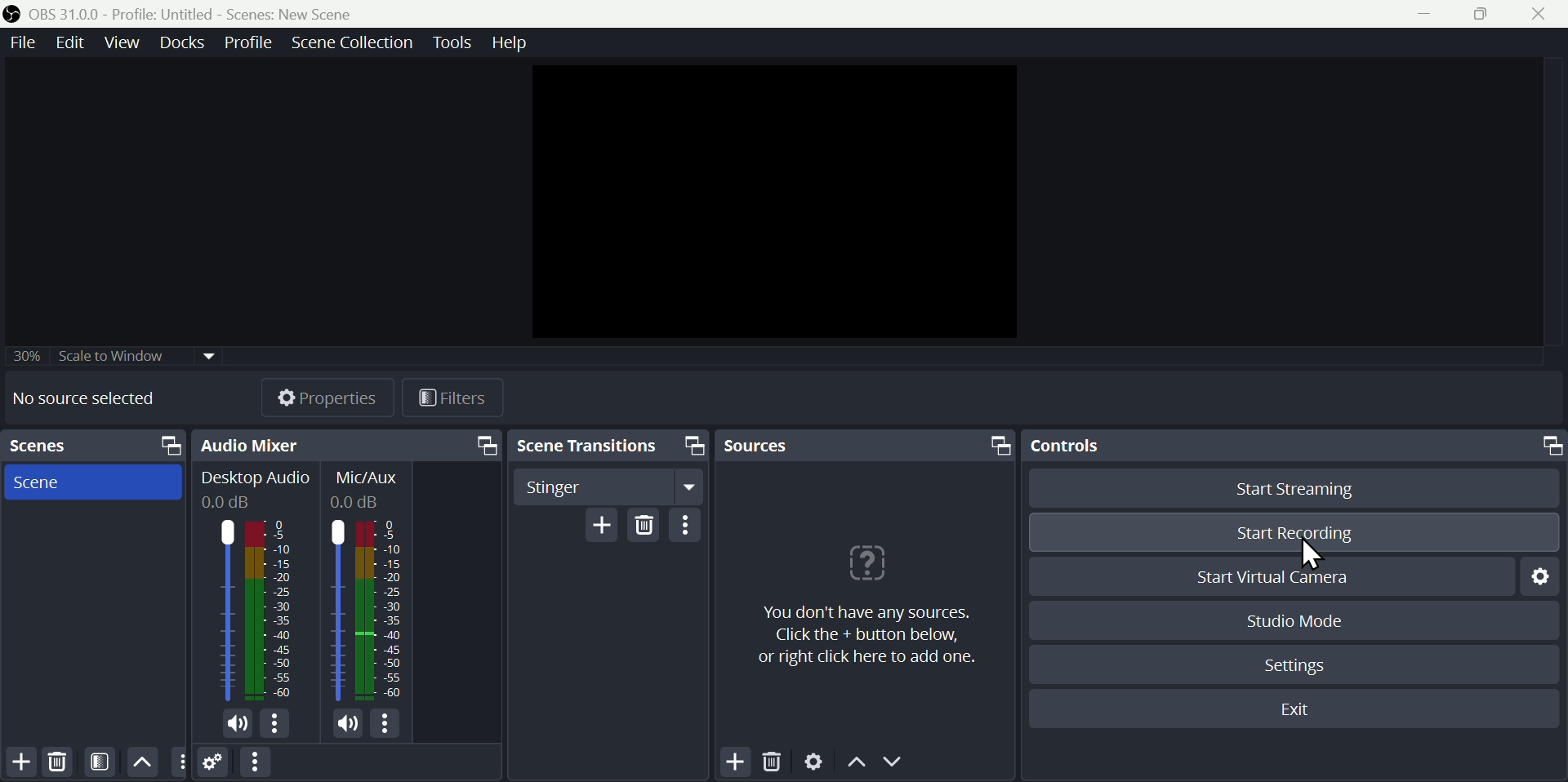 This screenshot has height=782, width=1568. What do you see at coordinates (866, 634) in the screenshot?
I see `you don't have any sources.` at bounding box center [866, 634].